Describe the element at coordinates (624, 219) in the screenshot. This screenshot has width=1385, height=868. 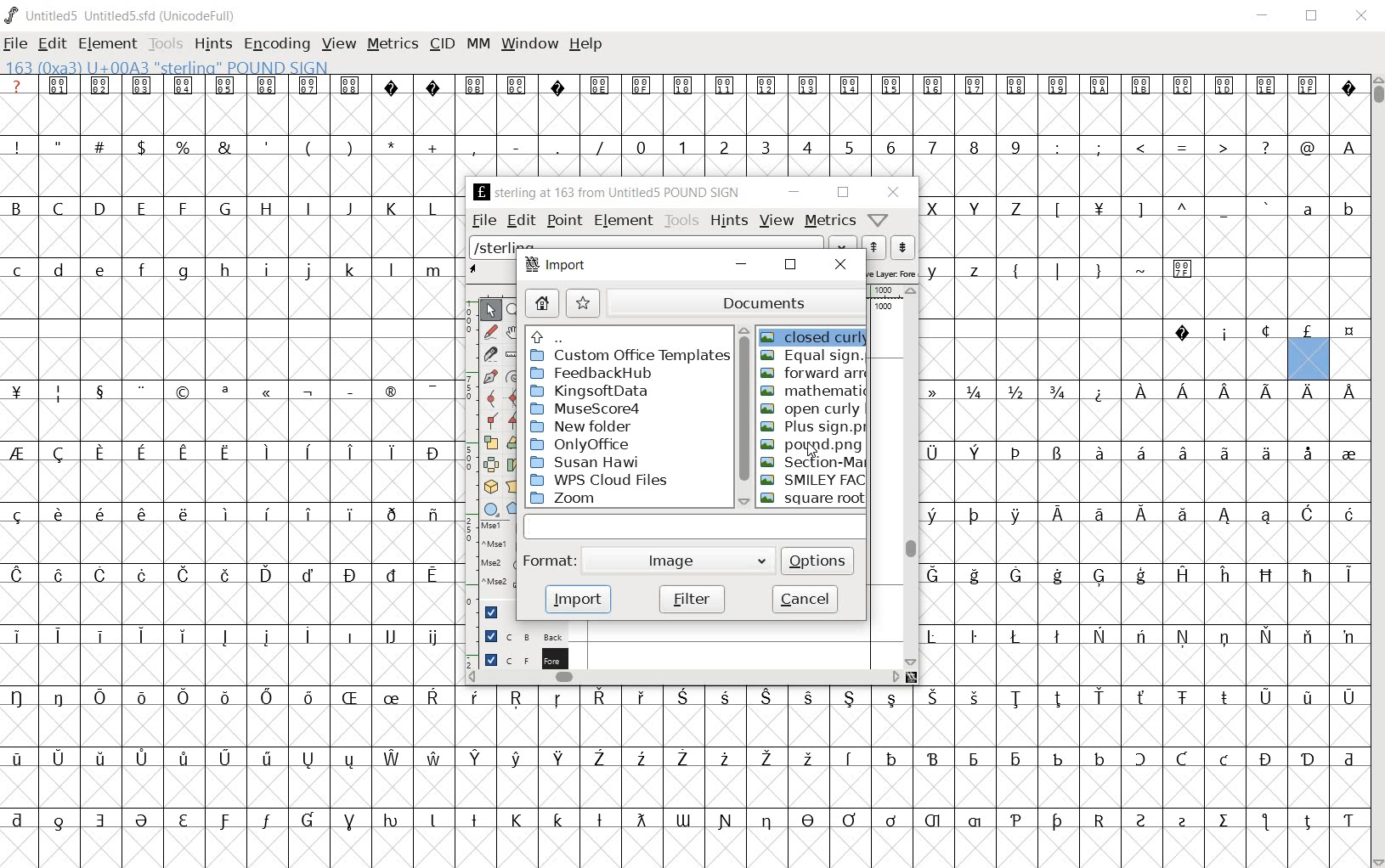
I see `element` at that location.